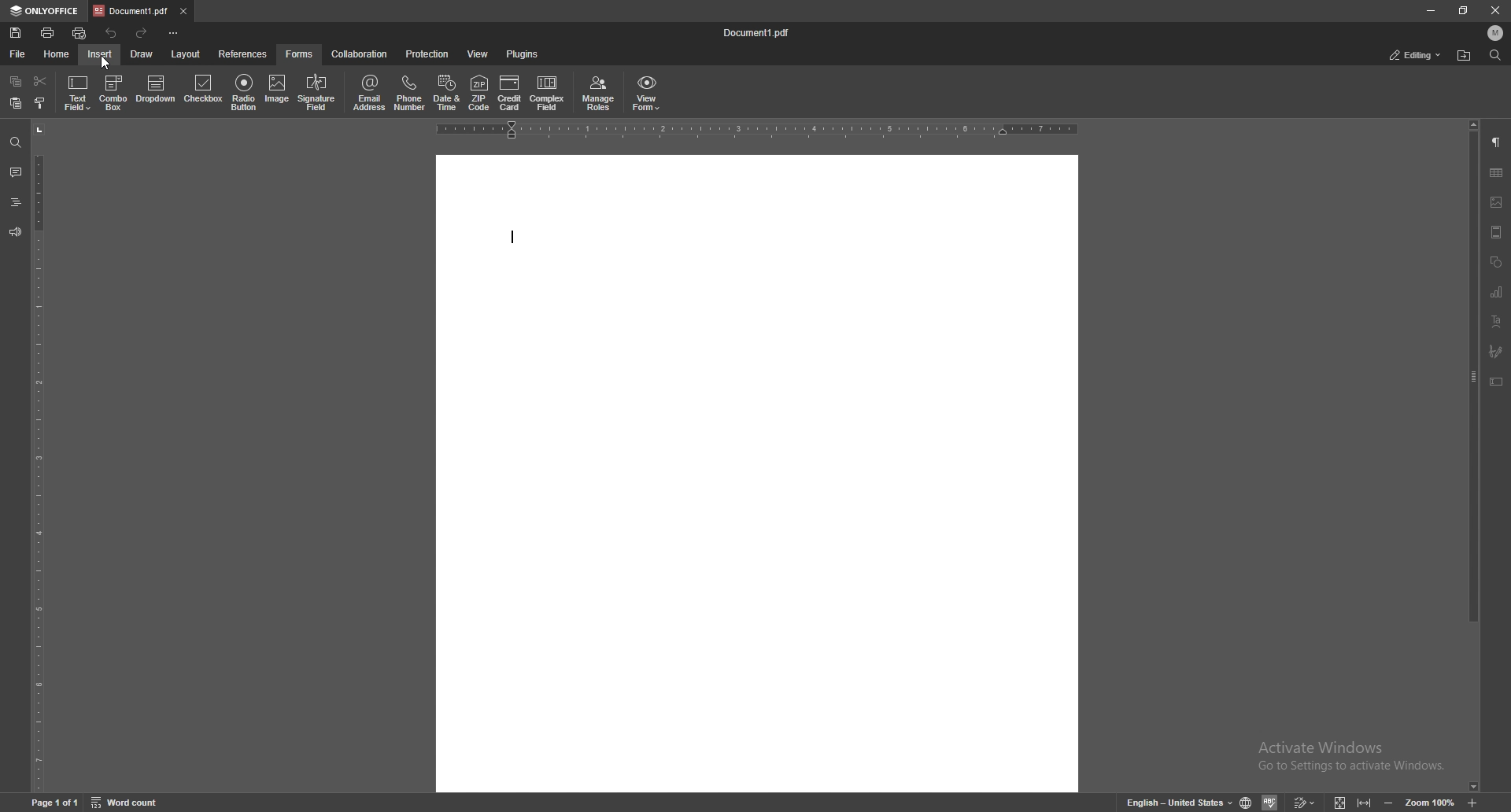 The height and width of the screenshot is (812, 1511). What do you see at coordinates (38, 457) in the screenshot?
I see `vertical scale` at bounding box center [38, 457].